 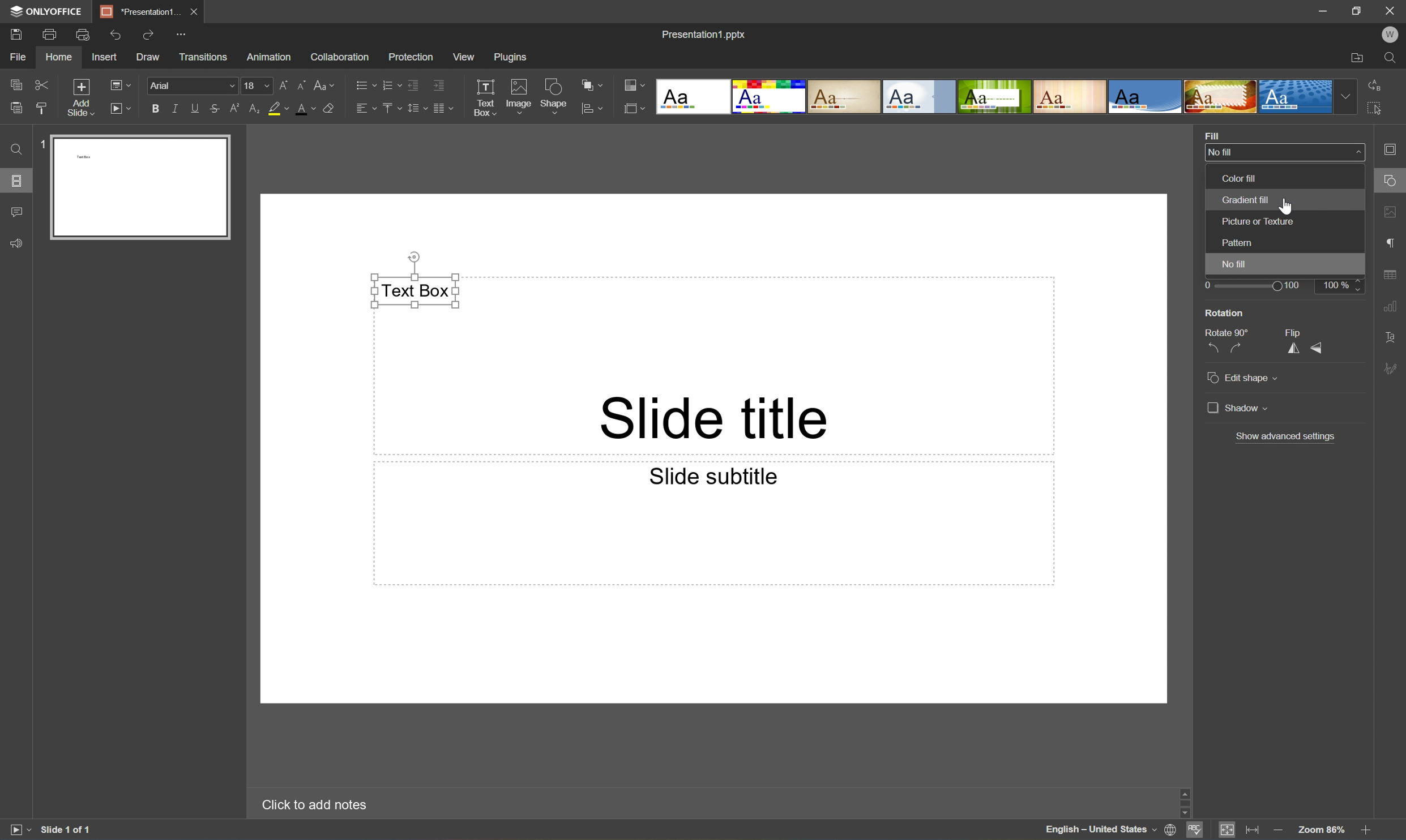 What do you see at coordinates (1227, 312) in the screenshot?
I see `Rotation` at bounding box center [1227, 312].